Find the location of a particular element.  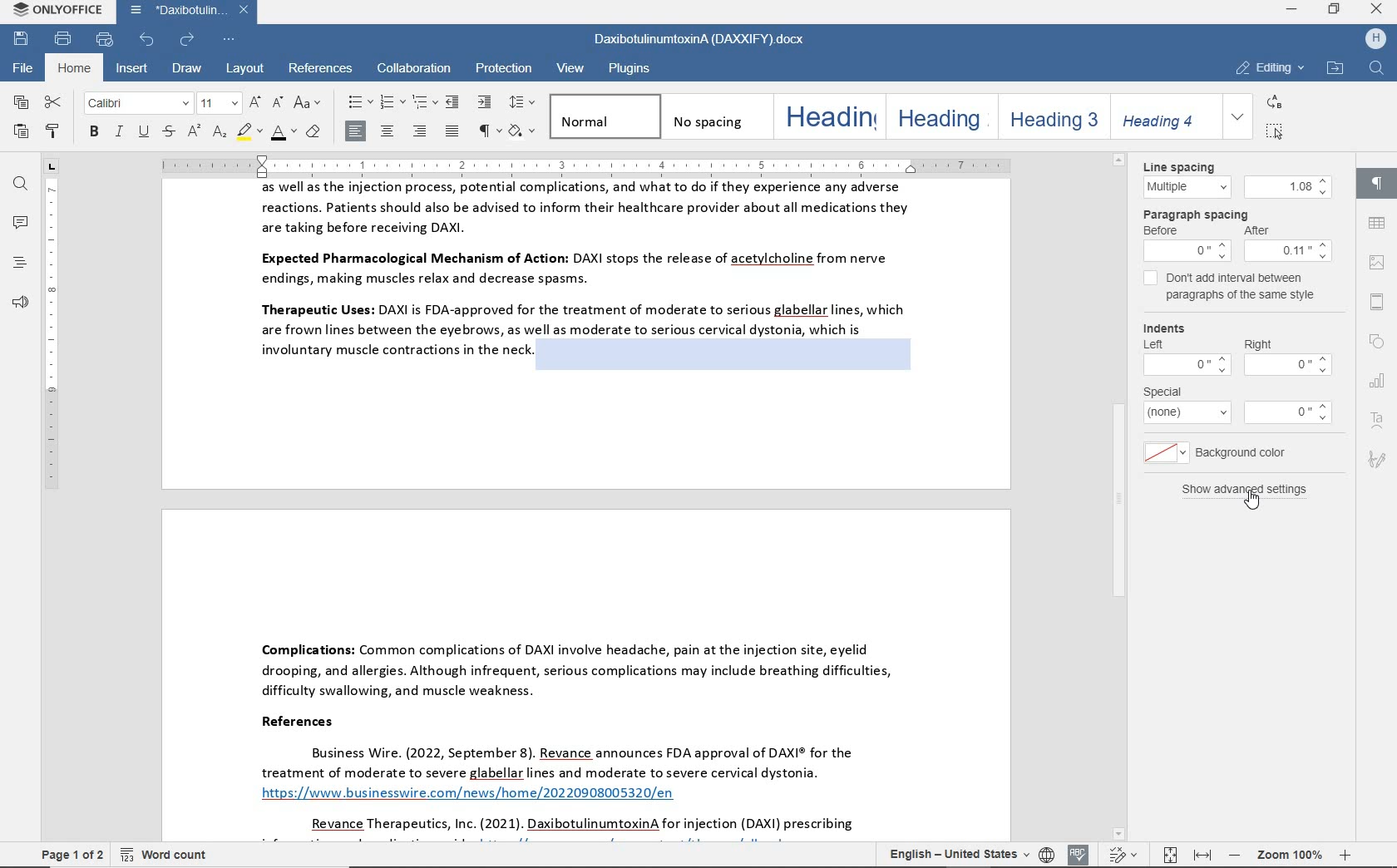

select all is located at coordinates (1275, 131).